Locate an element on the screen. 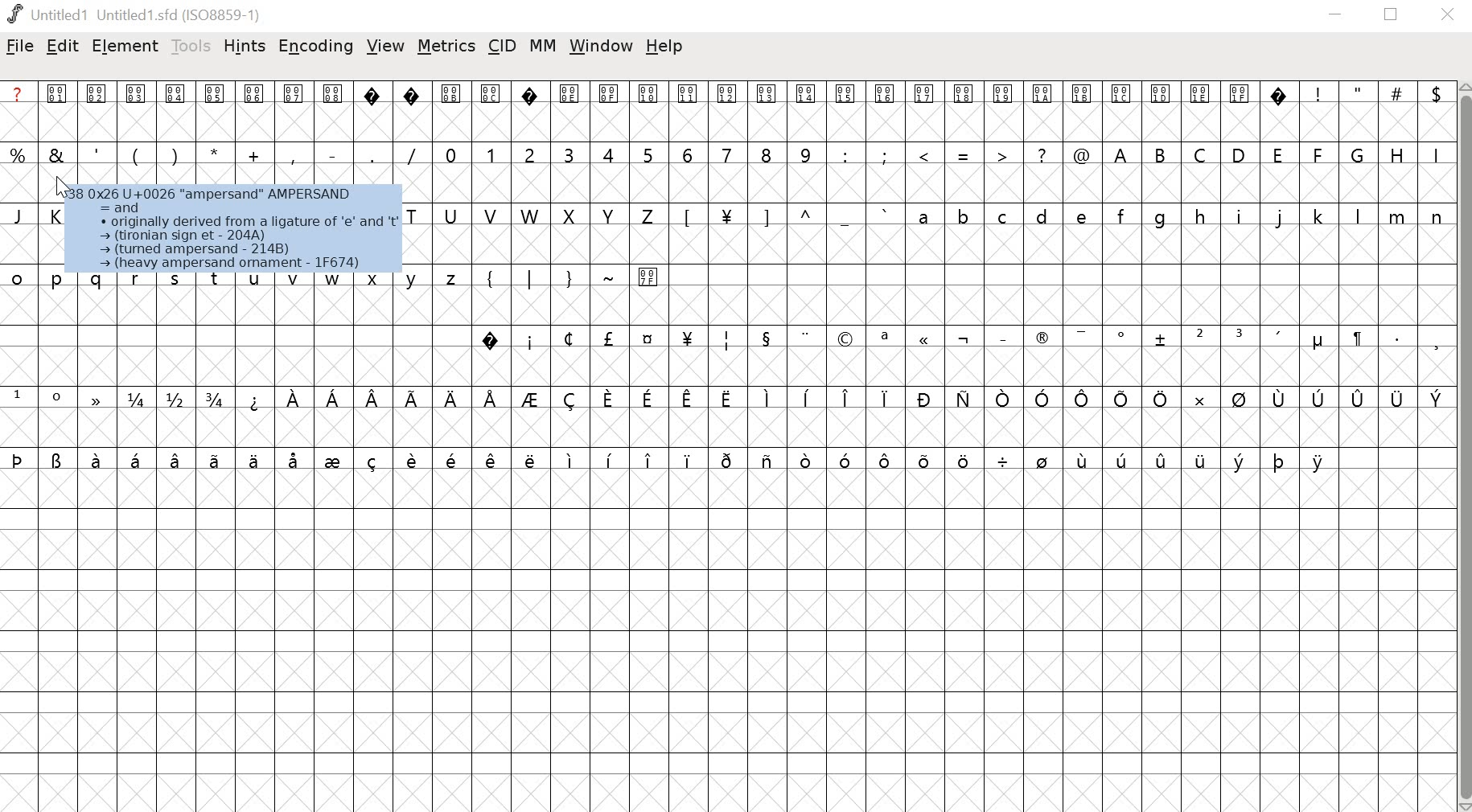  001A is located at coordinates (1042, 113).